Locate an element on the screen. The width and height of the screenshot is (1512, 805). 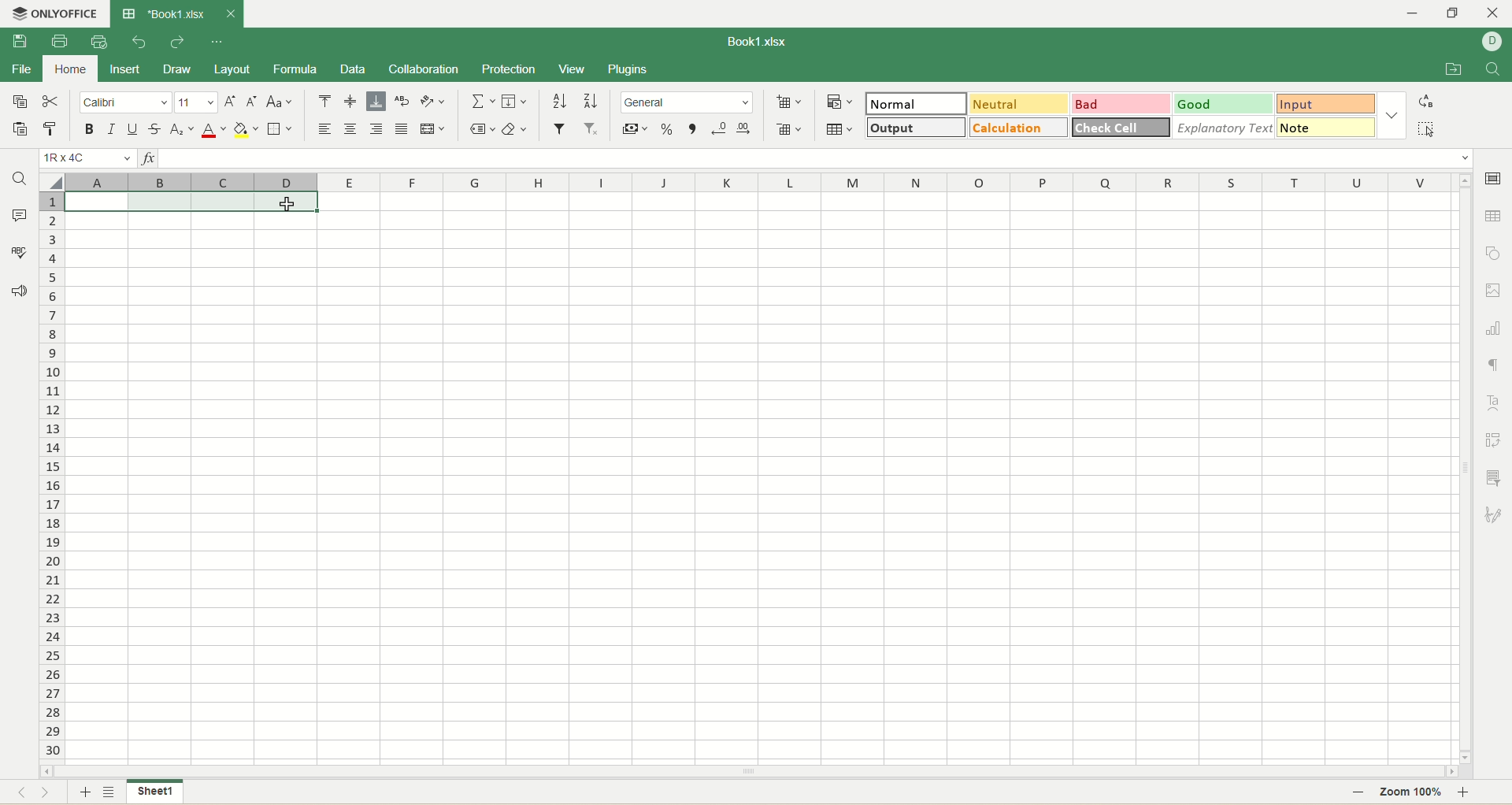
sort descending is located at coordinates (589, 102).